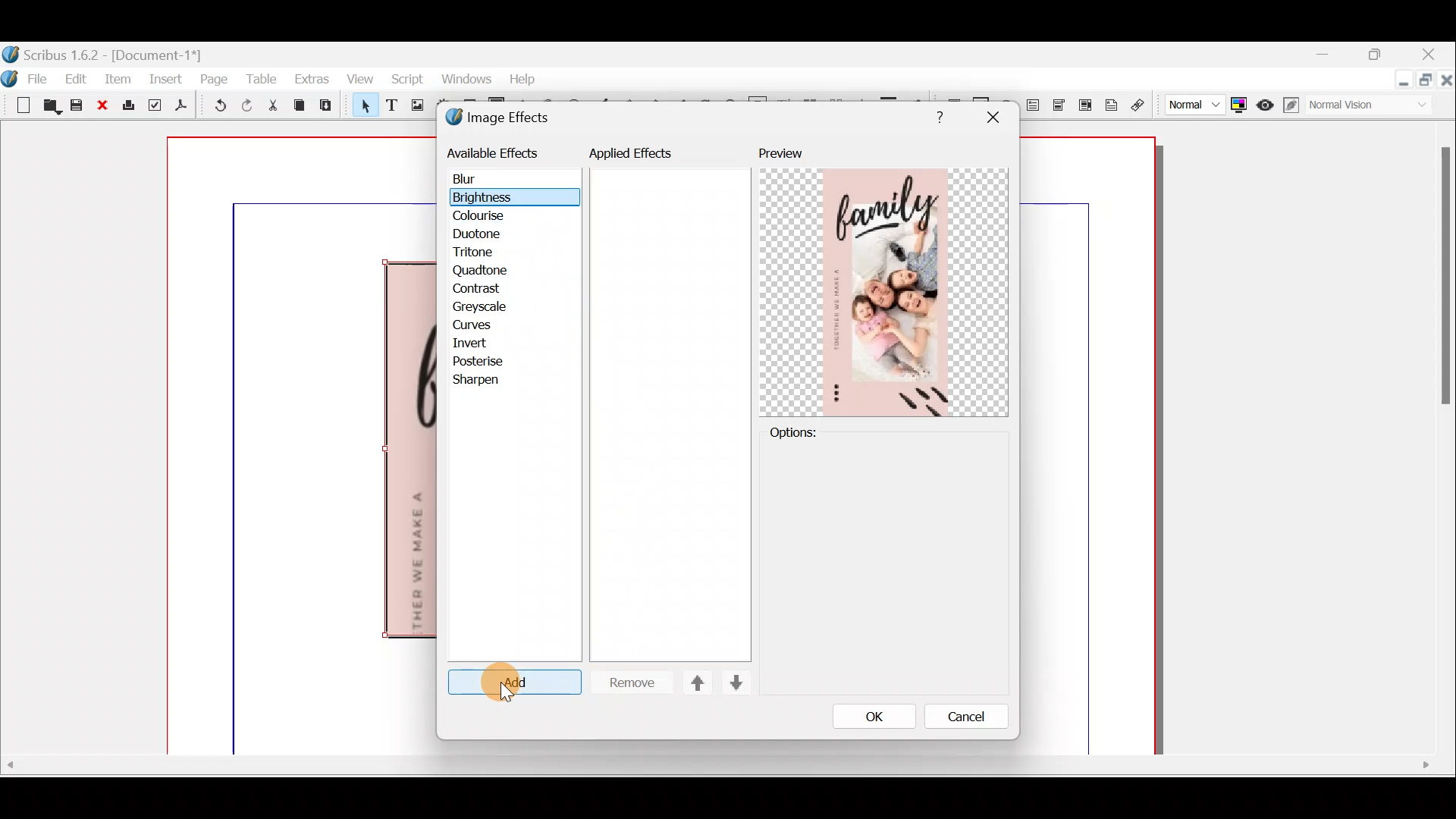 The image size is (1456, 819). What do you see at coordinates (246, 105) in the screenshot?
I see `Redo` at bounding box center [246, 105].